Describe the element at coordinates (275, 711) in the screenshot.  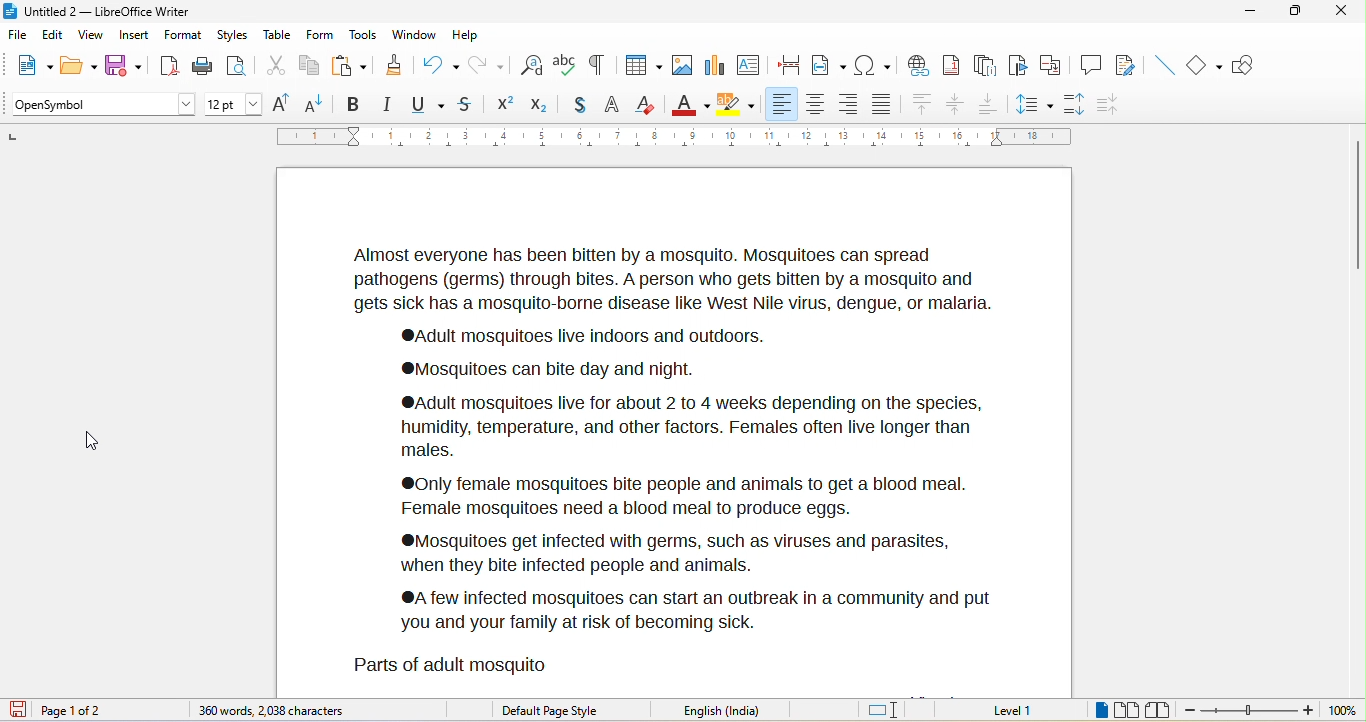
I see `360 words,2038 characters` at that location.